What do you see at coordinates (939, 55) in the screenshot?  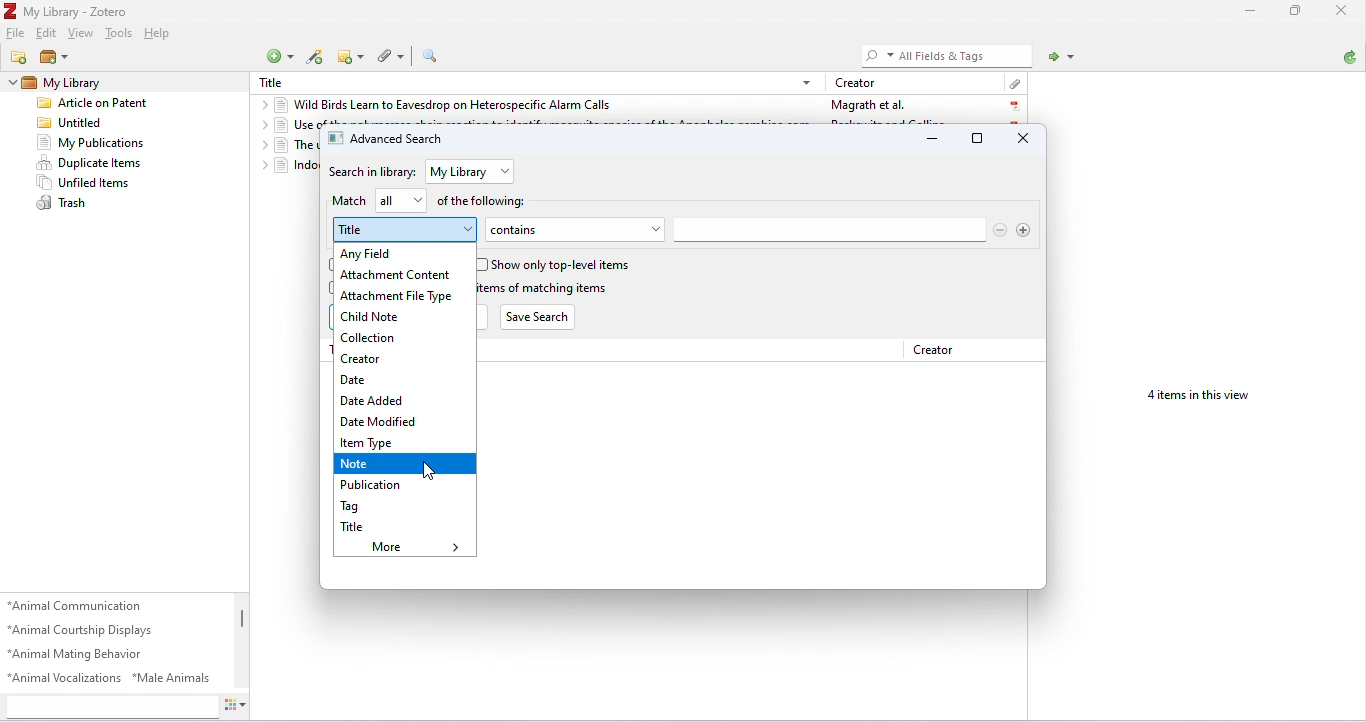 I see `All Fields & Tags` at bounding box center [939, 55].